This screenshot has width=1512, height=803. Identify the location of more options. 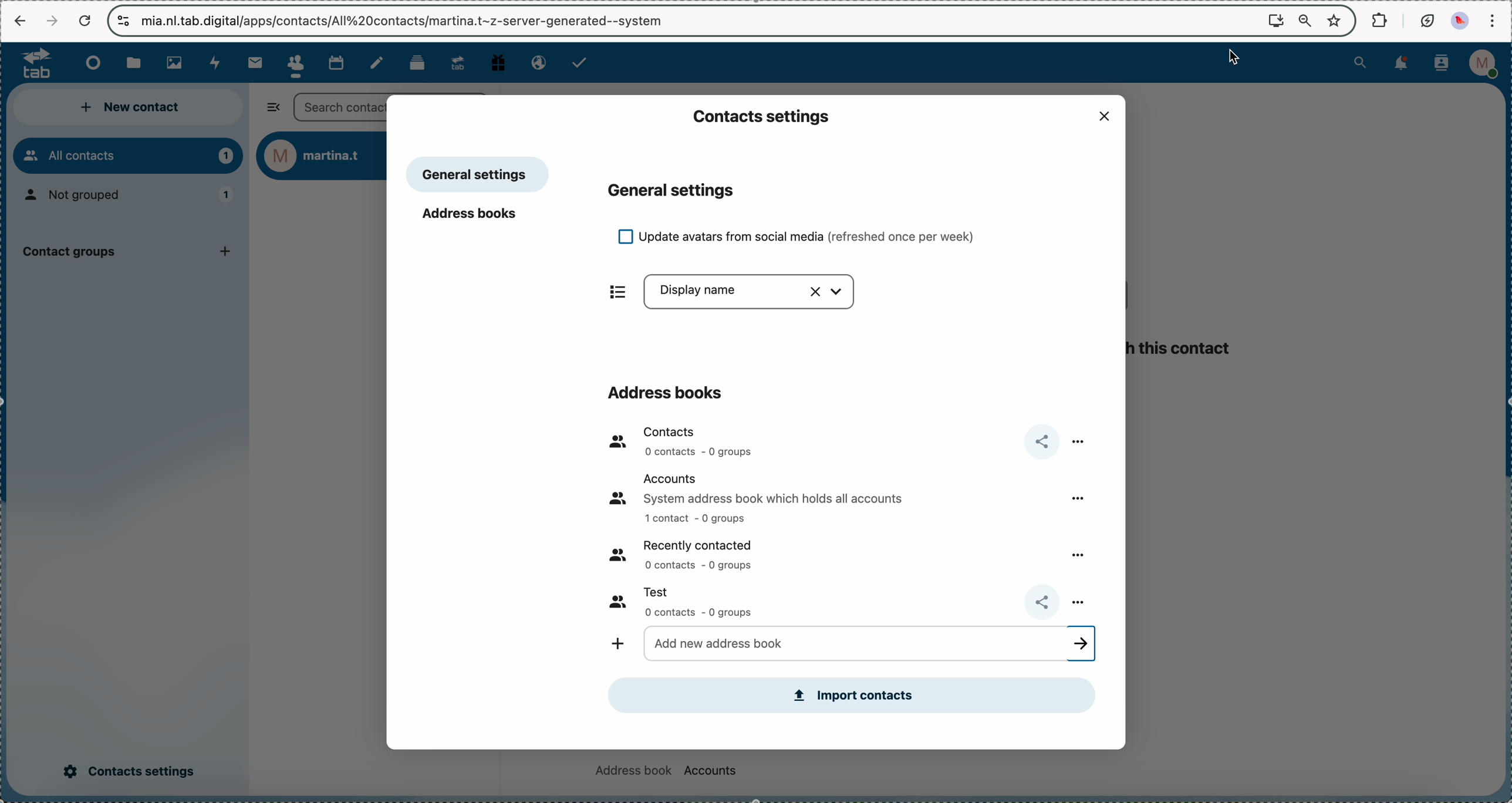
(1082, 599).